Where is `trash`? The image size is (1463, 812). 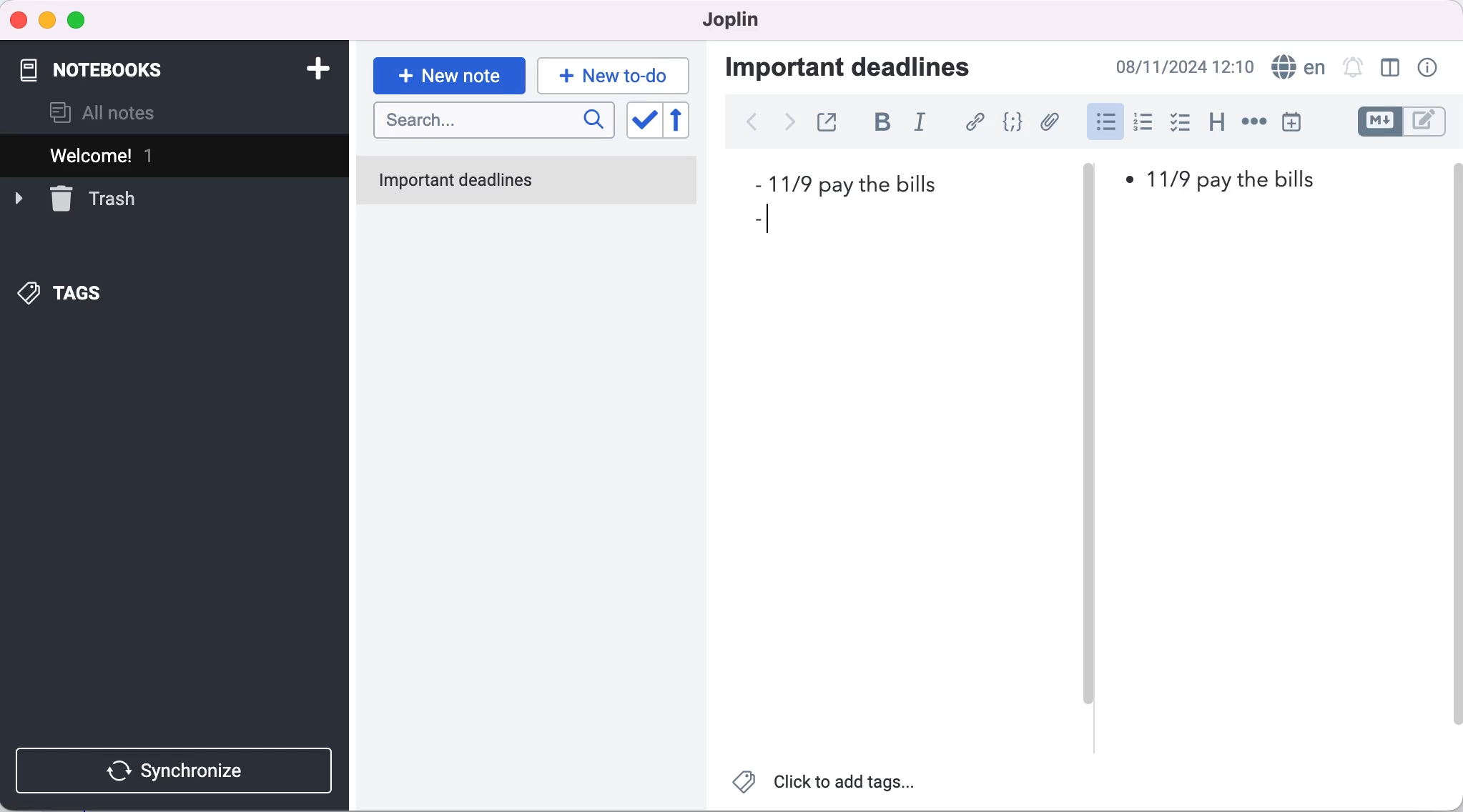
trash is located at coordinates (94, 199).